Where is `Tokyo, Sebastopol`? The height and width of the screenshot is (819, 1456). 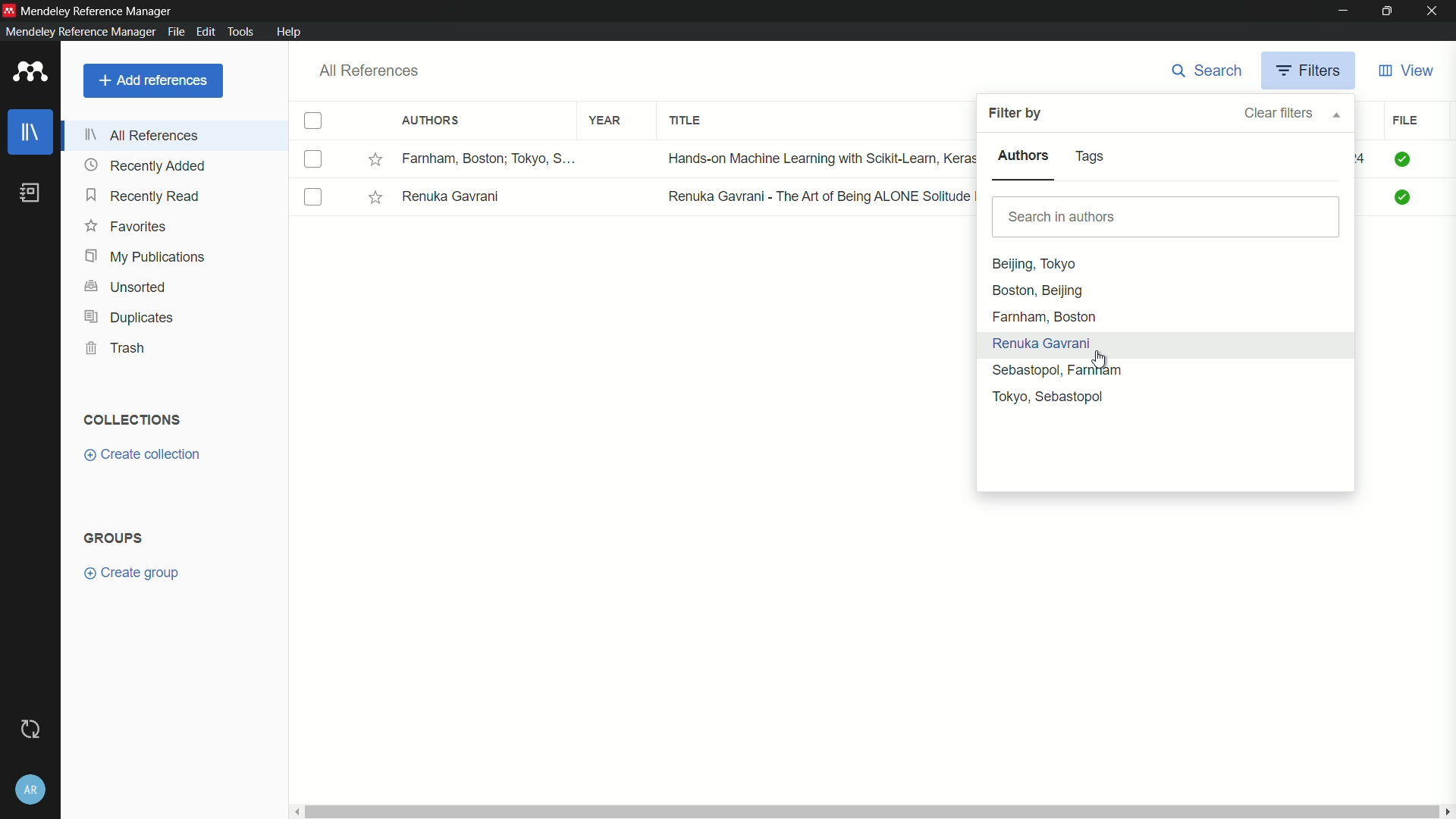 Tokyo, Sebastopol is located at coordinates (1059, 399).